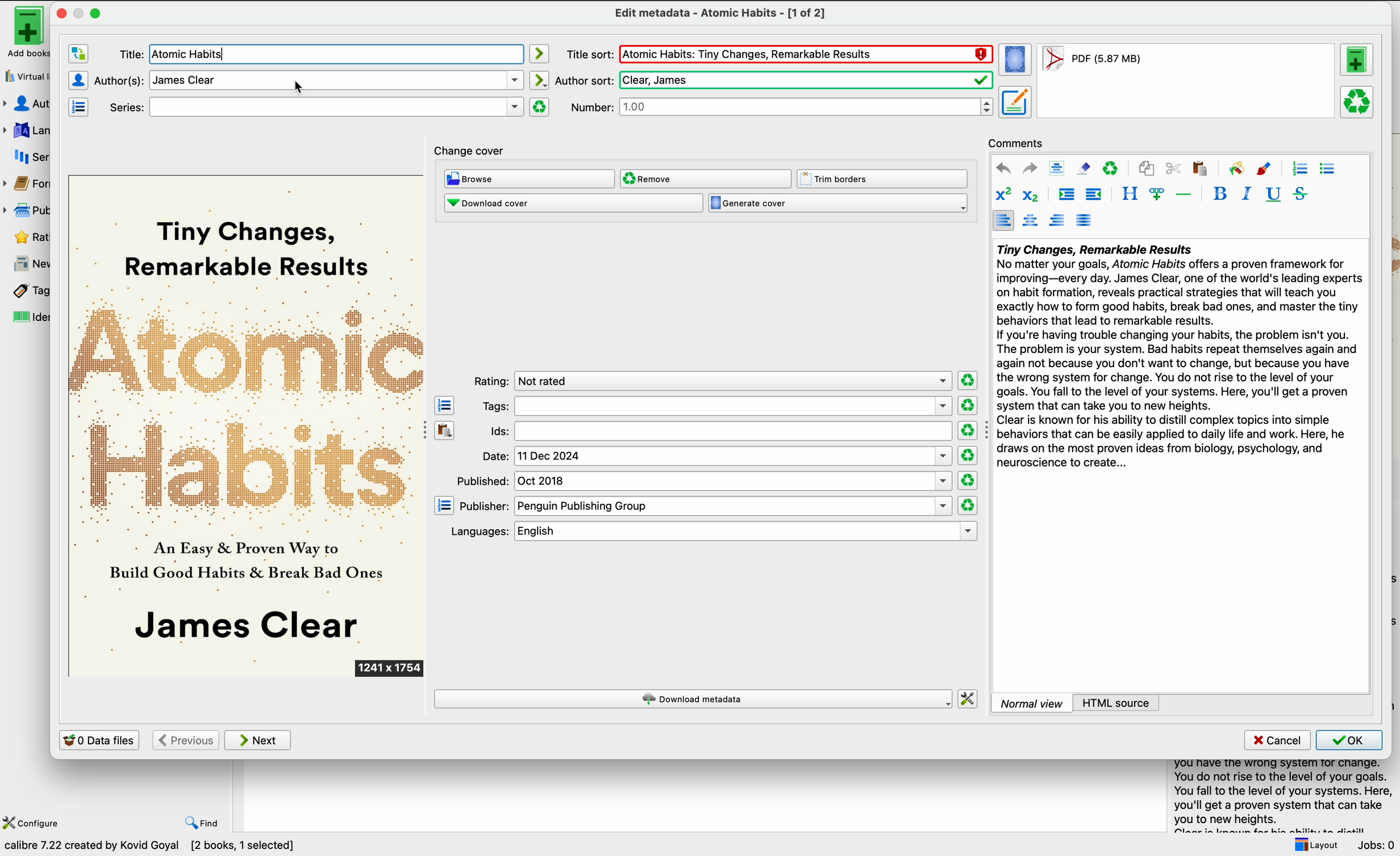 Image resolution: width=1400 pixels, height=856 pixels. Describe the element at coordinates (1032, 703) in the screenshot. I see `normal view` at that location.